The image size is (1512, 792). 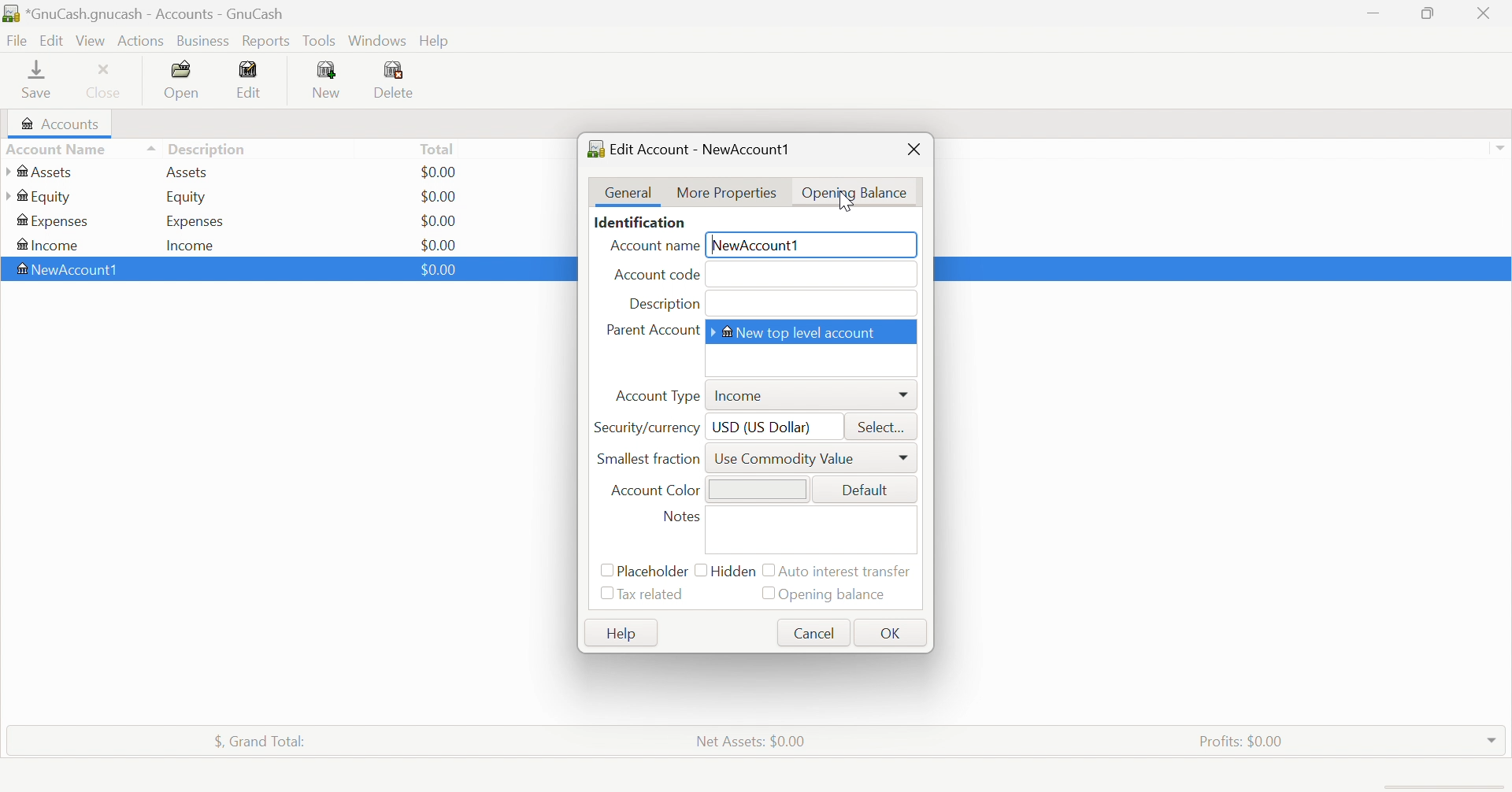 What do you see at coordinates (662, 303) in the screenshot?
I see `Description` at bounding box center [662, 303].